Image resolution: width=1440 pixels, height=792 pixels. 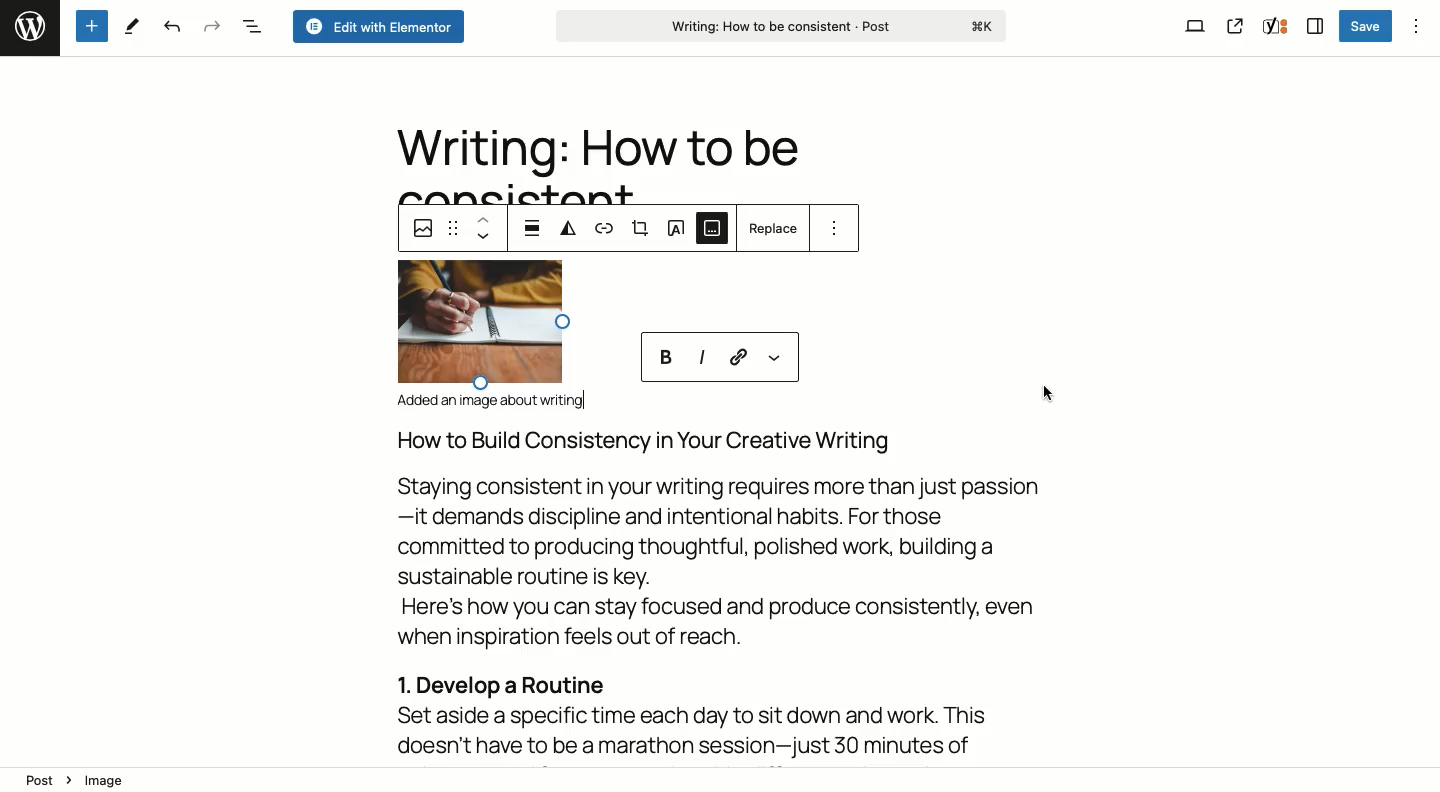 I want to click on text cursor, so click(x=585, y=397).